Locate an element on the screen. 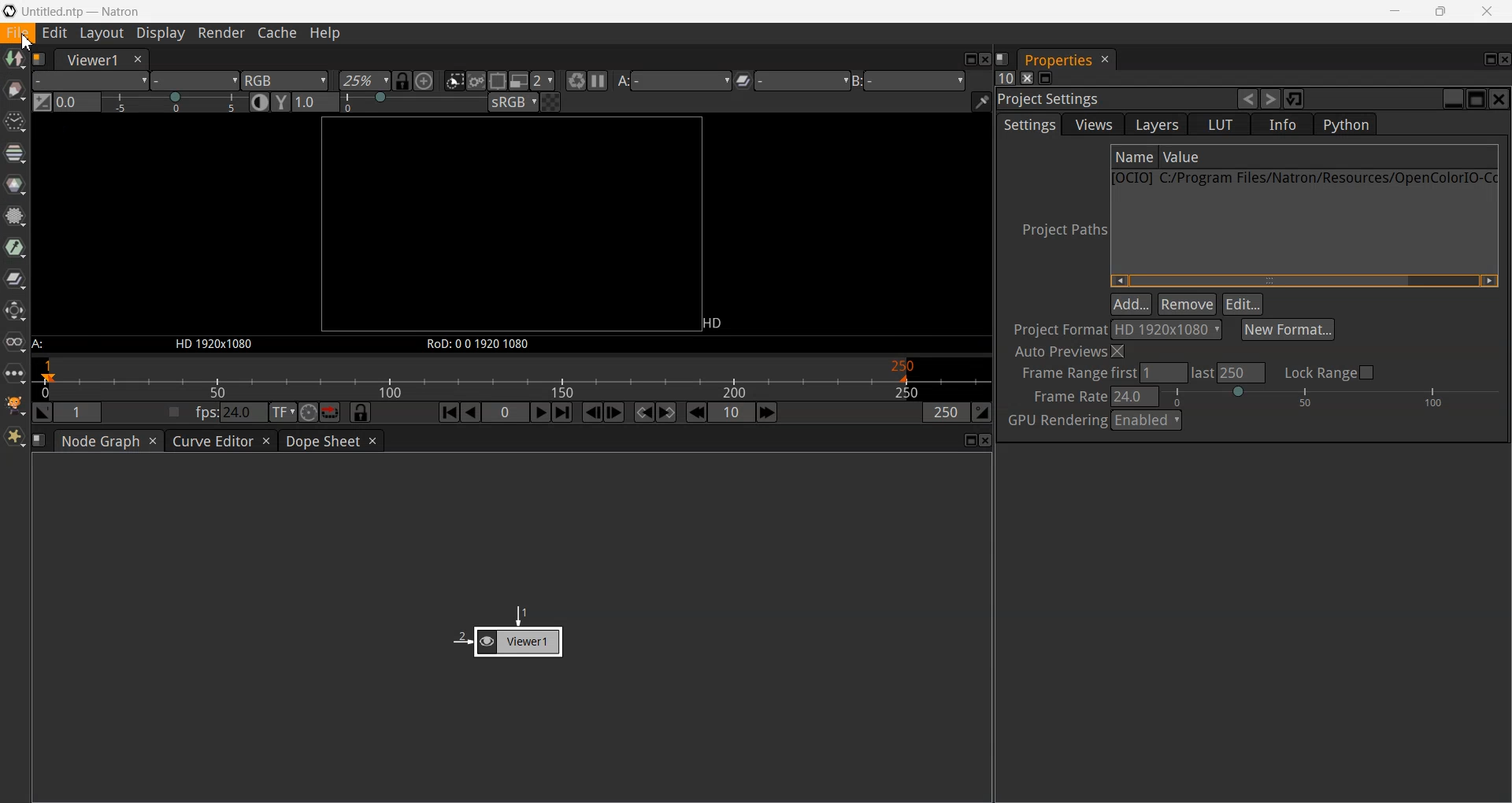 The image size is (1512, 803). Maximize is located at coordinates (972, 440).